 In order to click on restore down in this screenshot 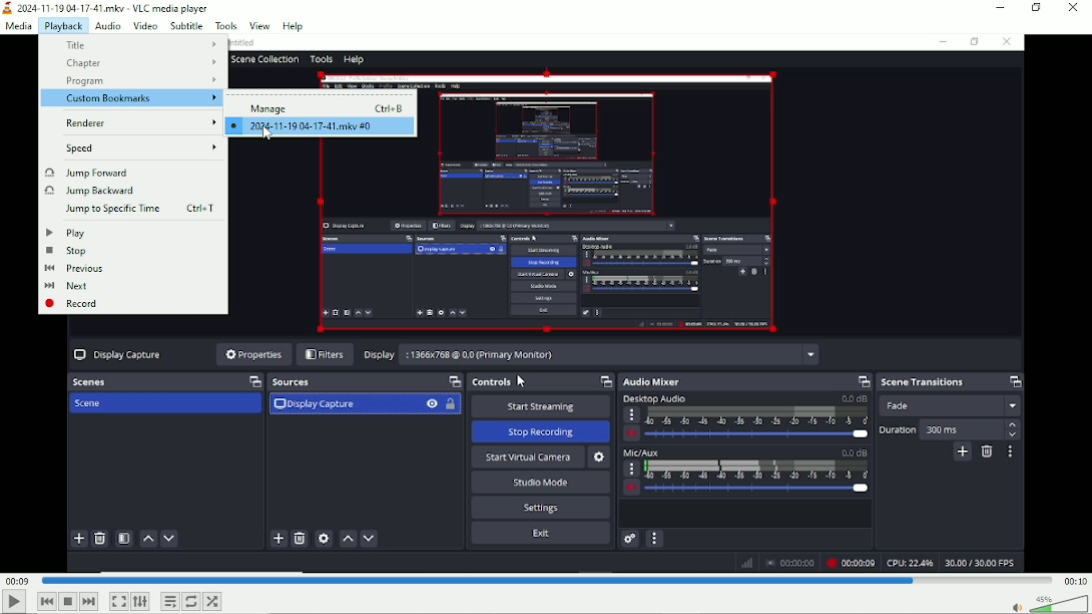, I will do `click(1036, 8)`.